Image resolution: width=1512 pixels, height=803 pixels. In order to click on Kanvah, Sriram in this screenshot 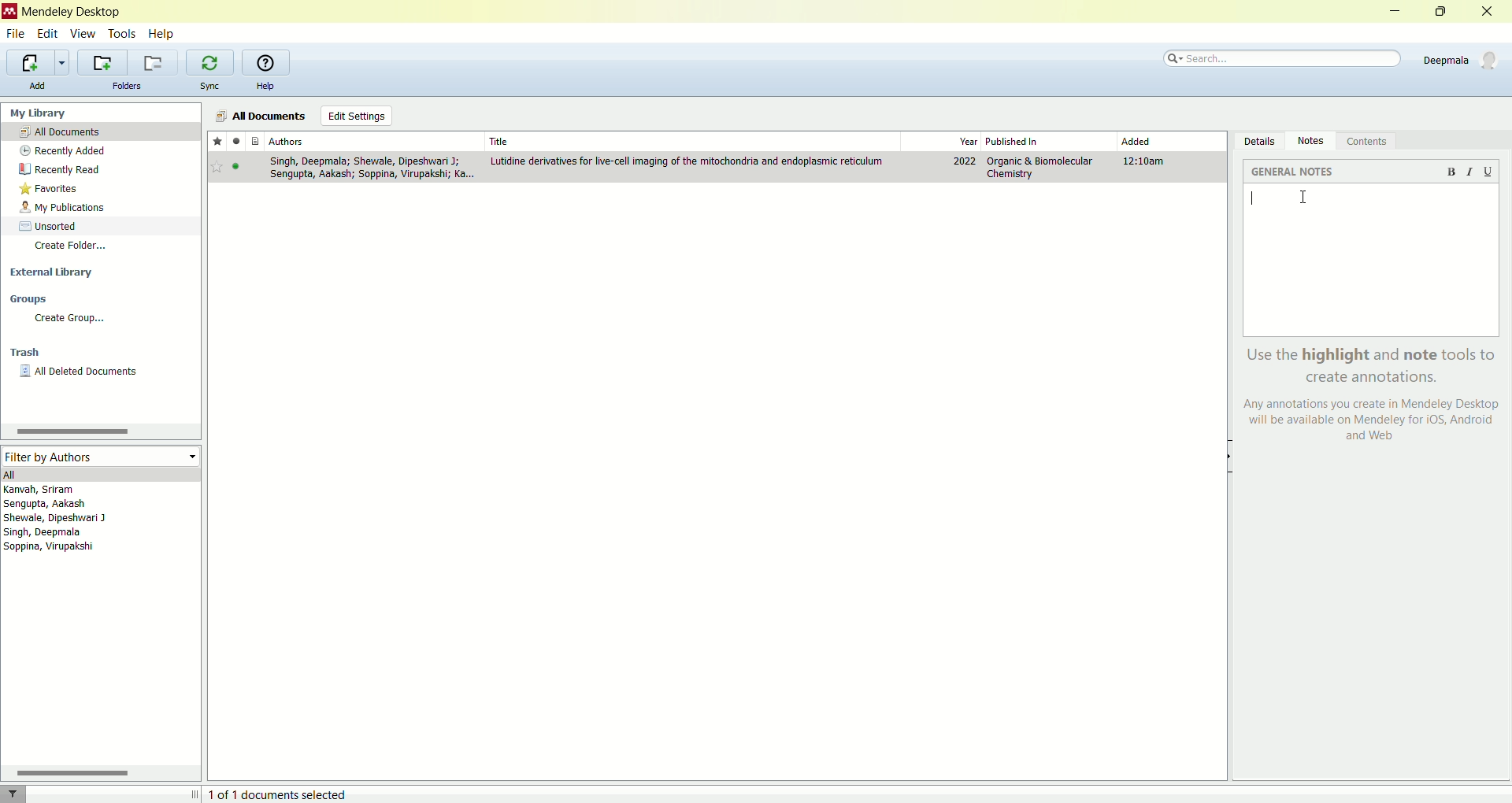, I will do `click(83, 489)`.